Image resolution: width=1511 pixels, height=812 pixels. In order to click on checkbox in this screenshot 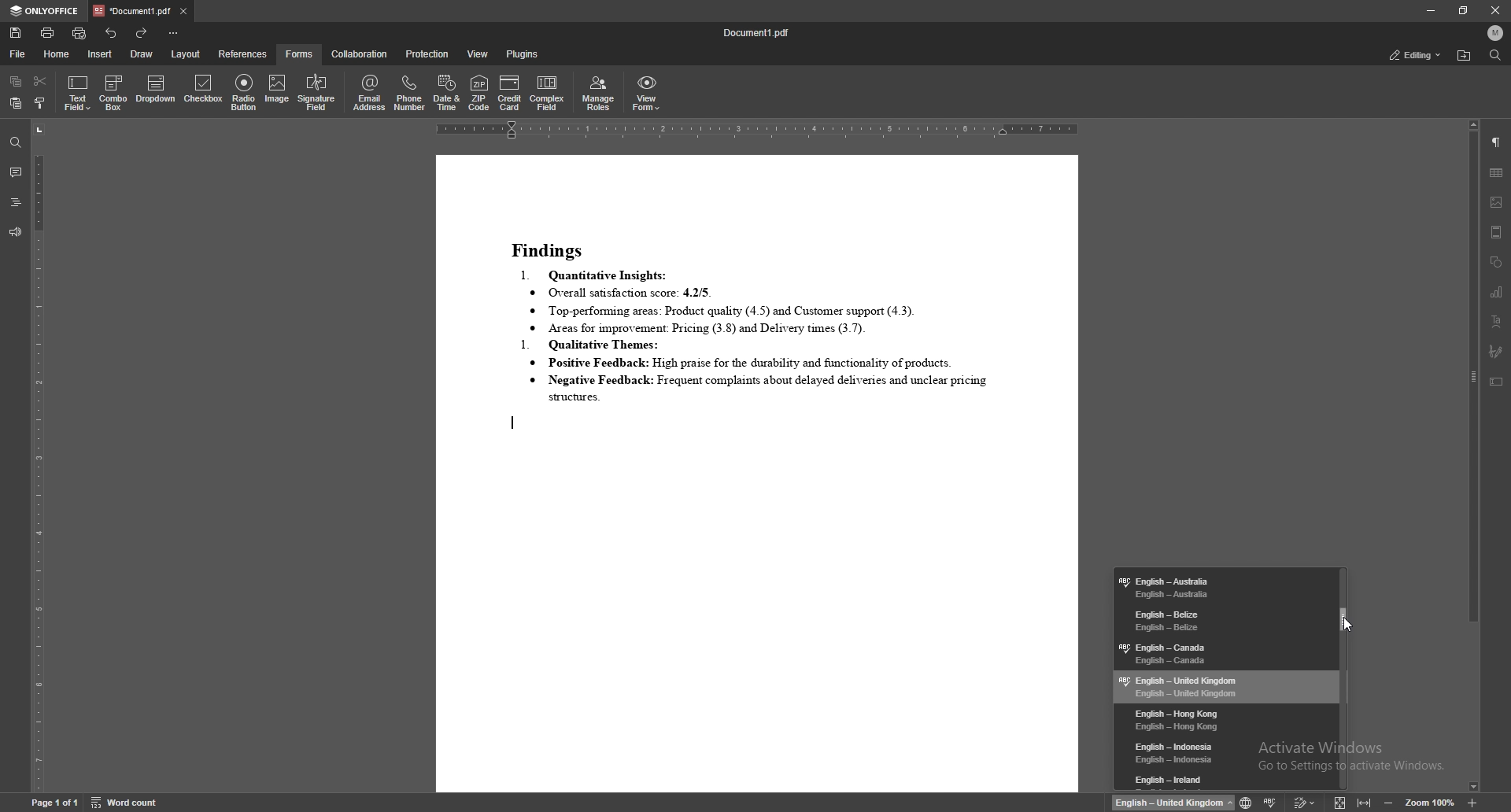, I will do `click(203, 91)`.